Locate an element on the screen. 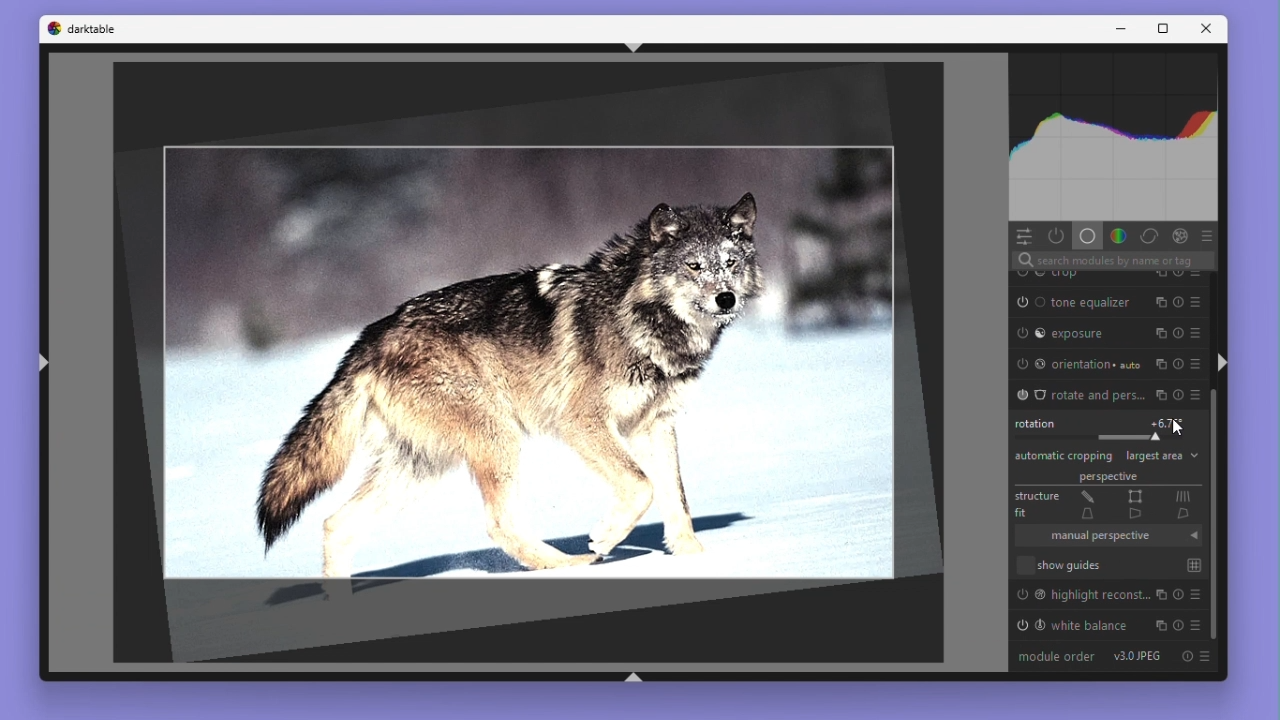 The height and width of the screenshot is (720, 1280). orientations awe is located at coordinates (1106, 365).